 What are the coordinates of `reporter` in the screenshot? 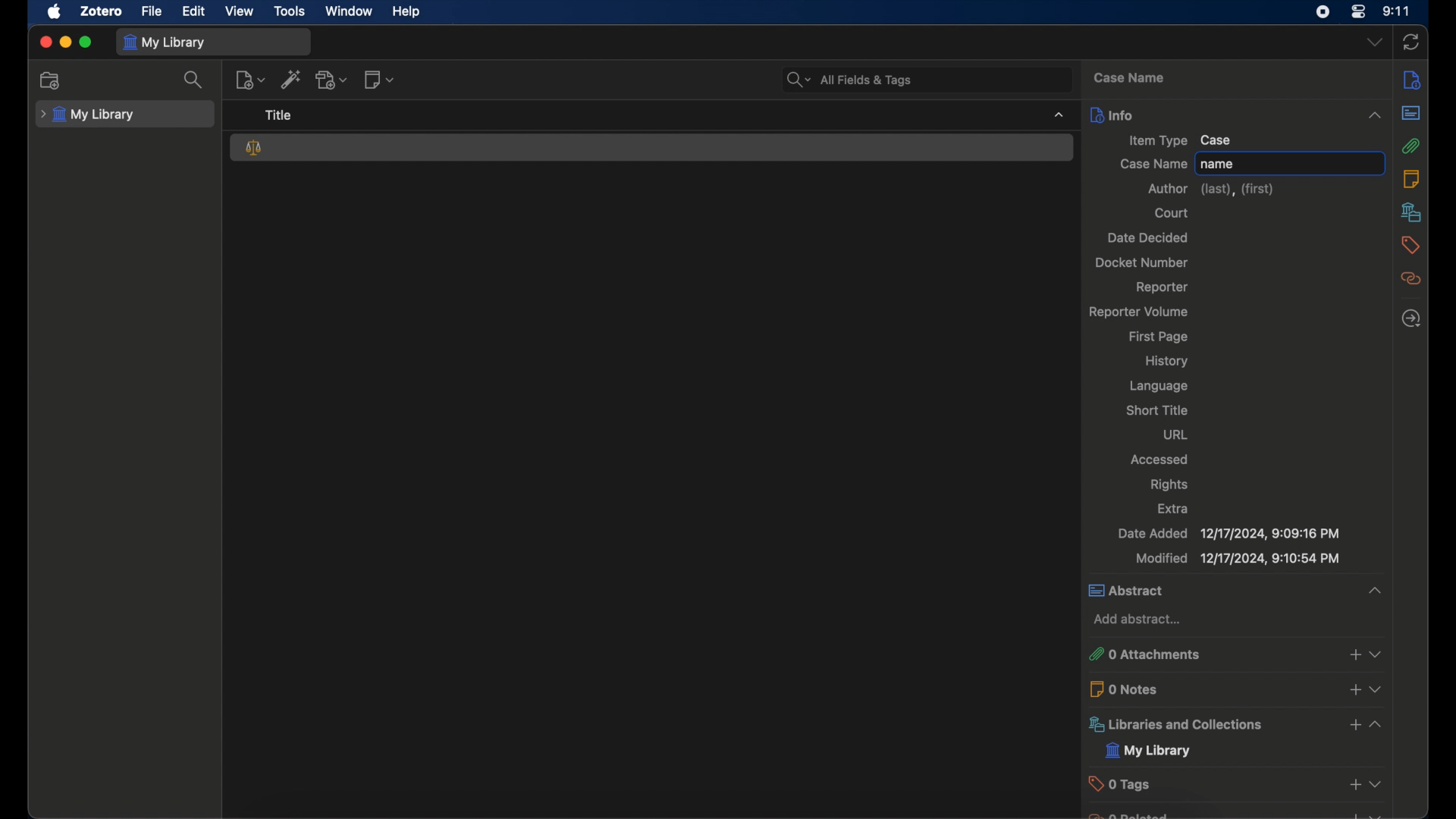 It's located at (1160, 287).